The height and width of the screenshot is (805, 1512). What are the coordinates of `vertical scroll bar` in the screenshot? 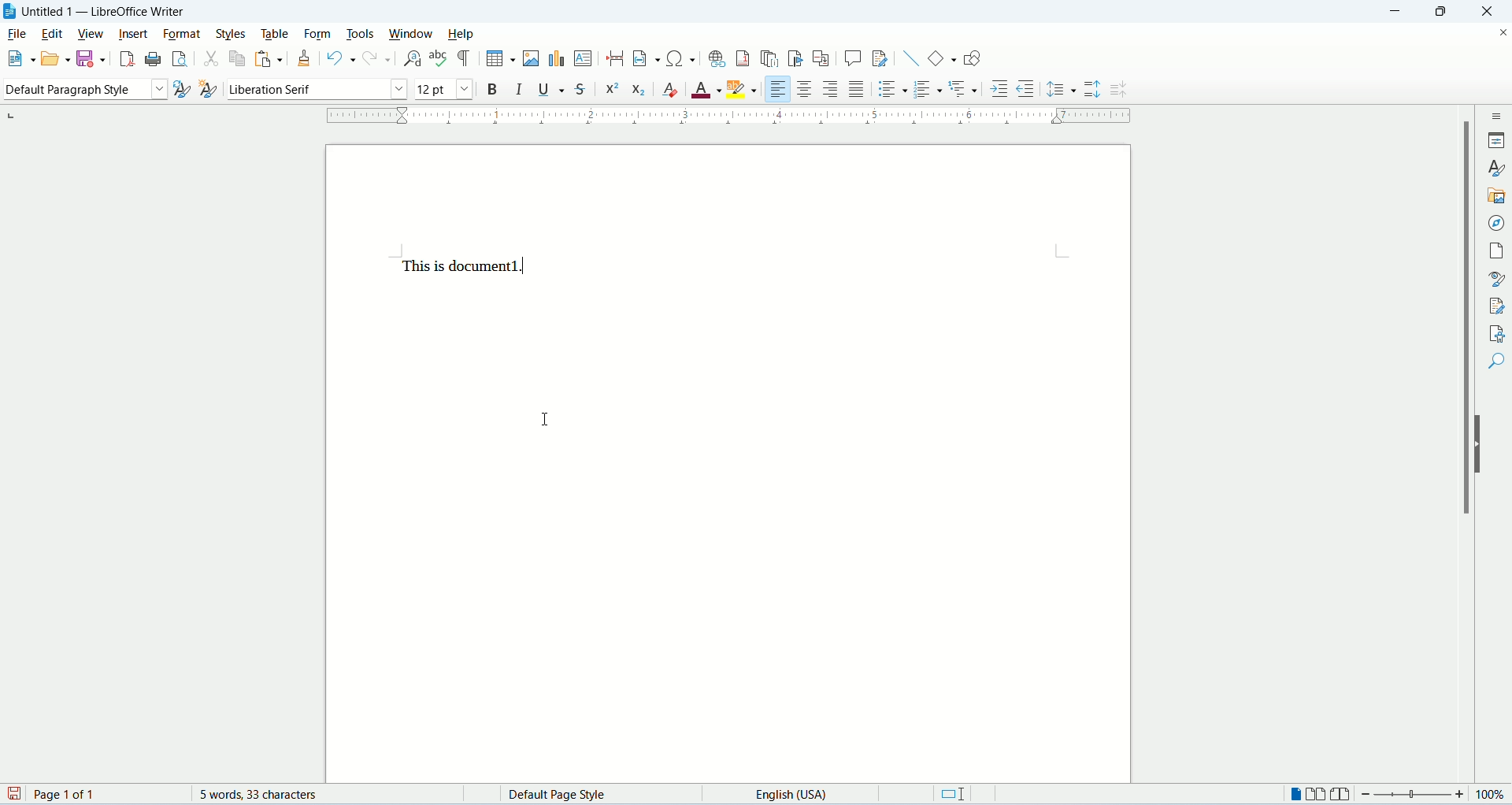 It's located at (1469, 446).